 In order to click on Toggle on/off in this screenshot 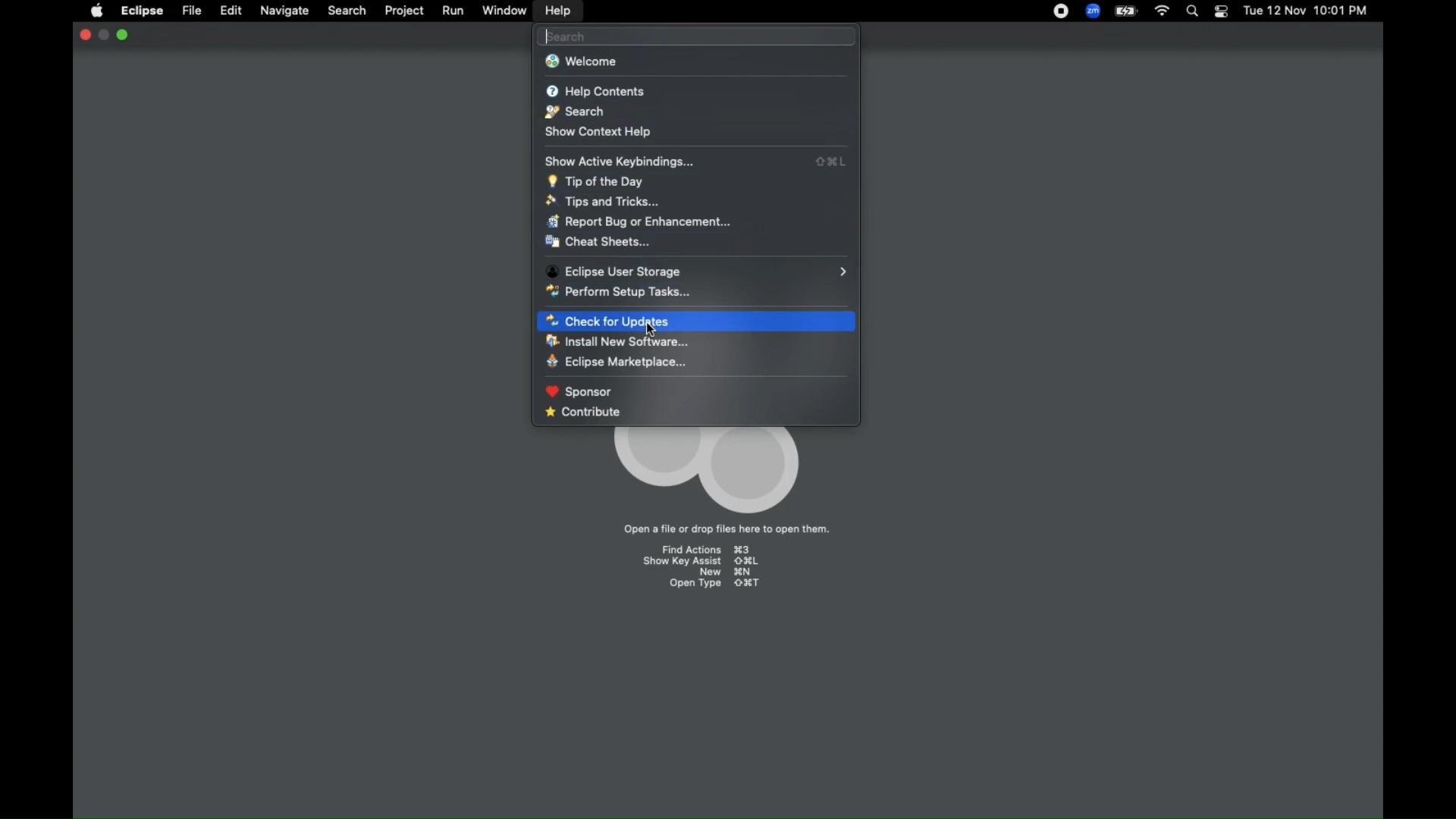, I will do `click(1220, 11)`.